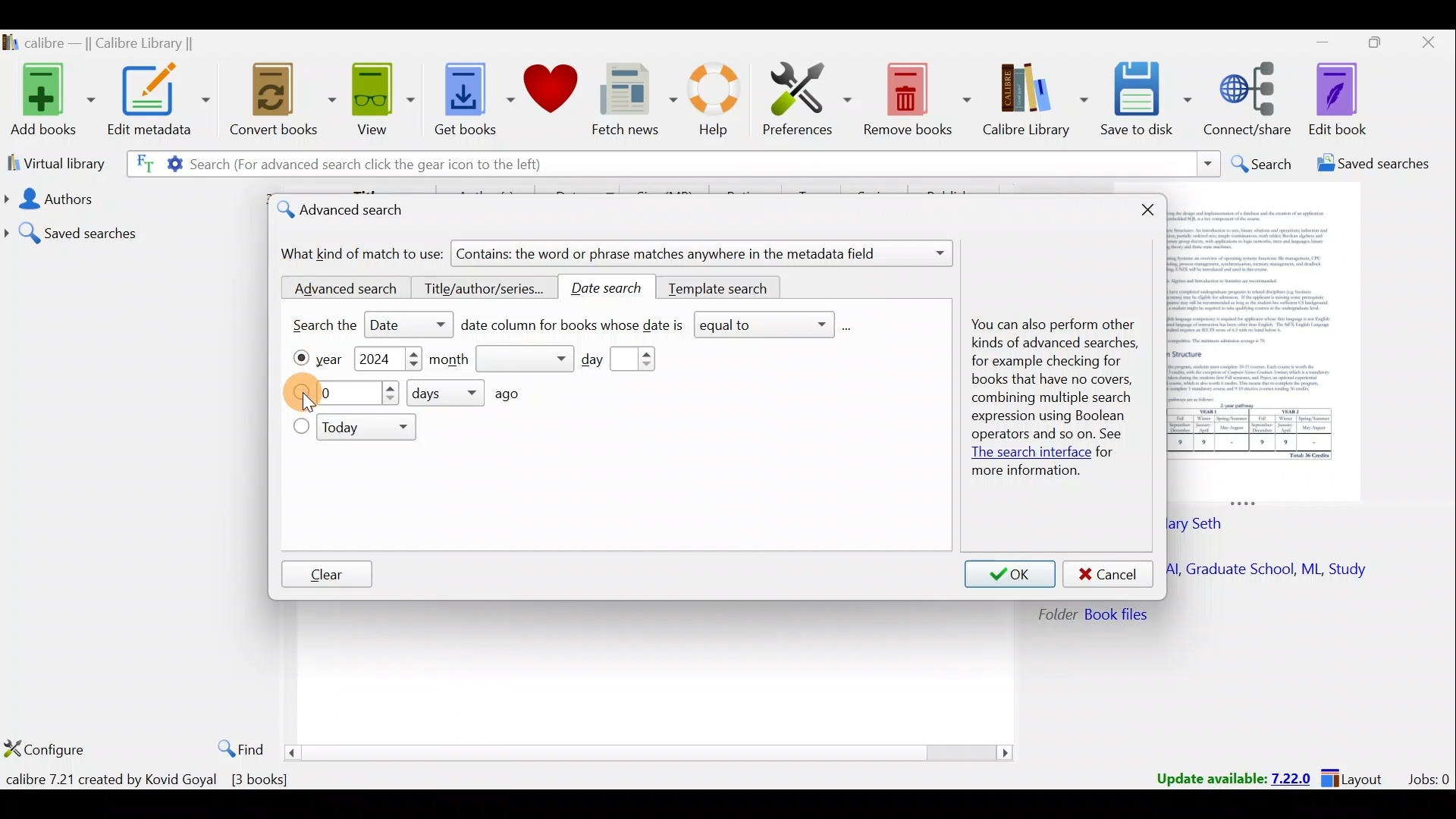  What do you see at coordinates (485, 290) in the screenshot?
I see `Title/author/series` at bounding box center [485, 290].